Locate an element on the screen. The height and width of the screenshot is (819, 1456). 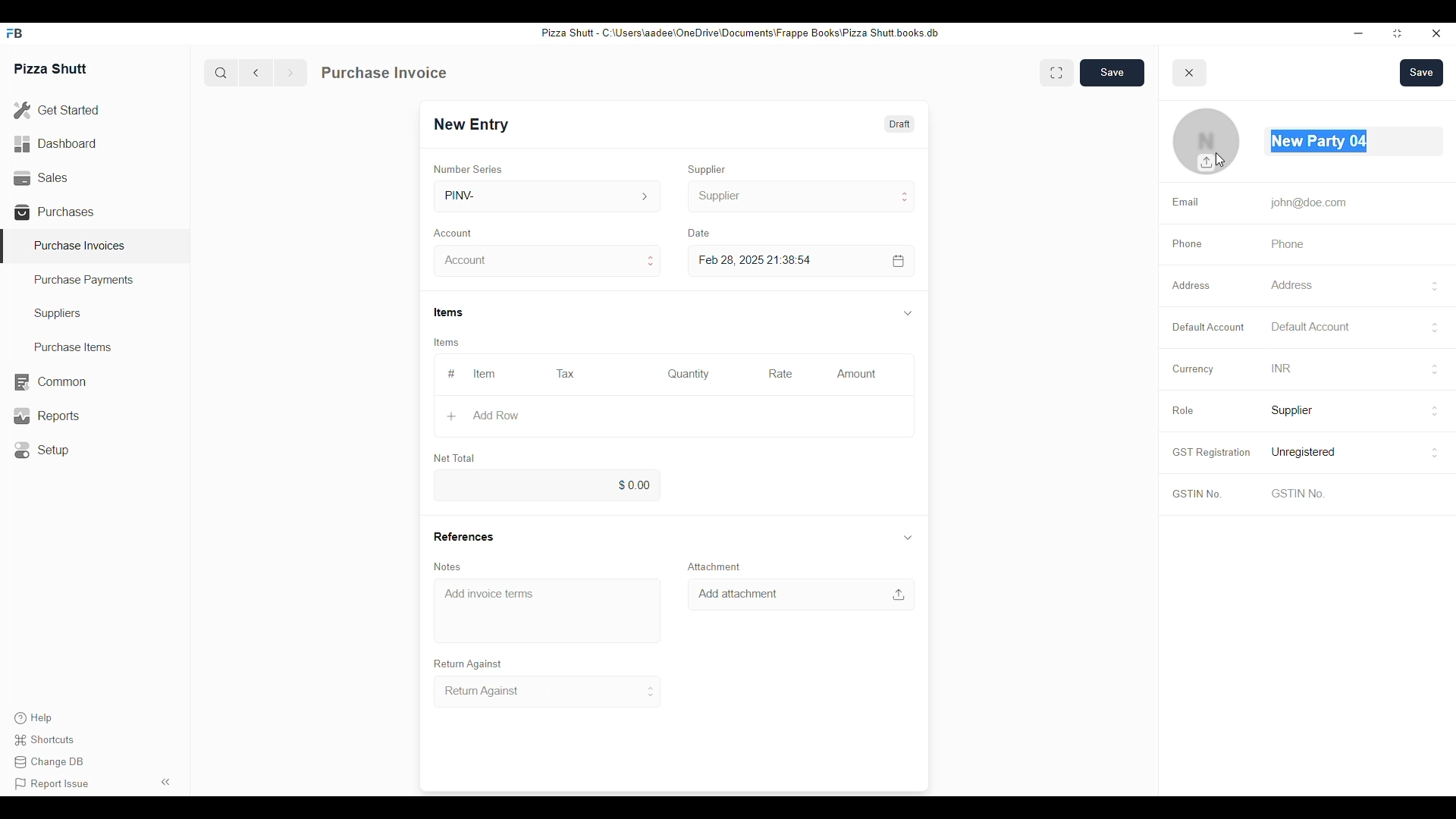
Phone is located at coordinates (1284, 244).